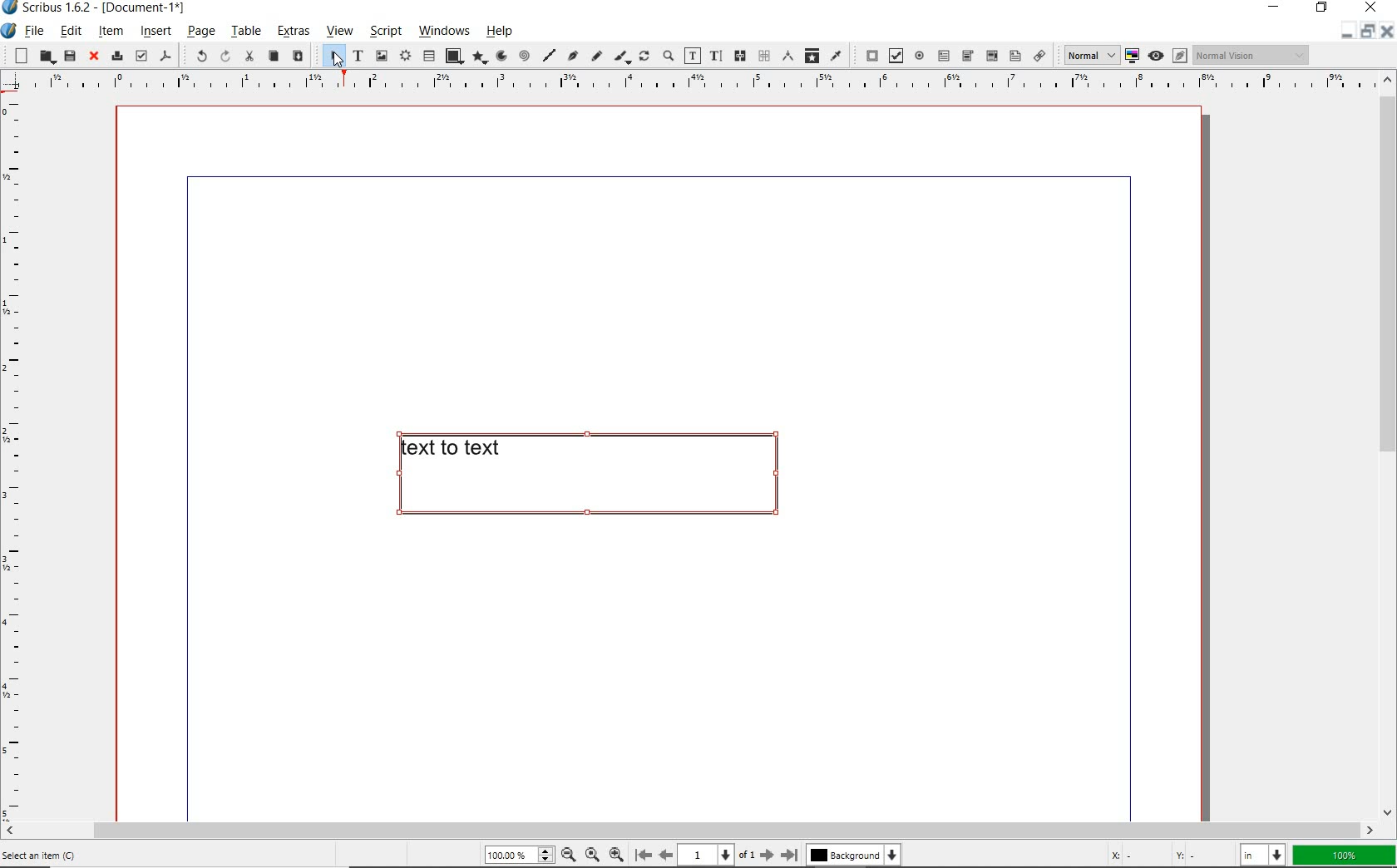  I want to click on open, so click(46, 57).